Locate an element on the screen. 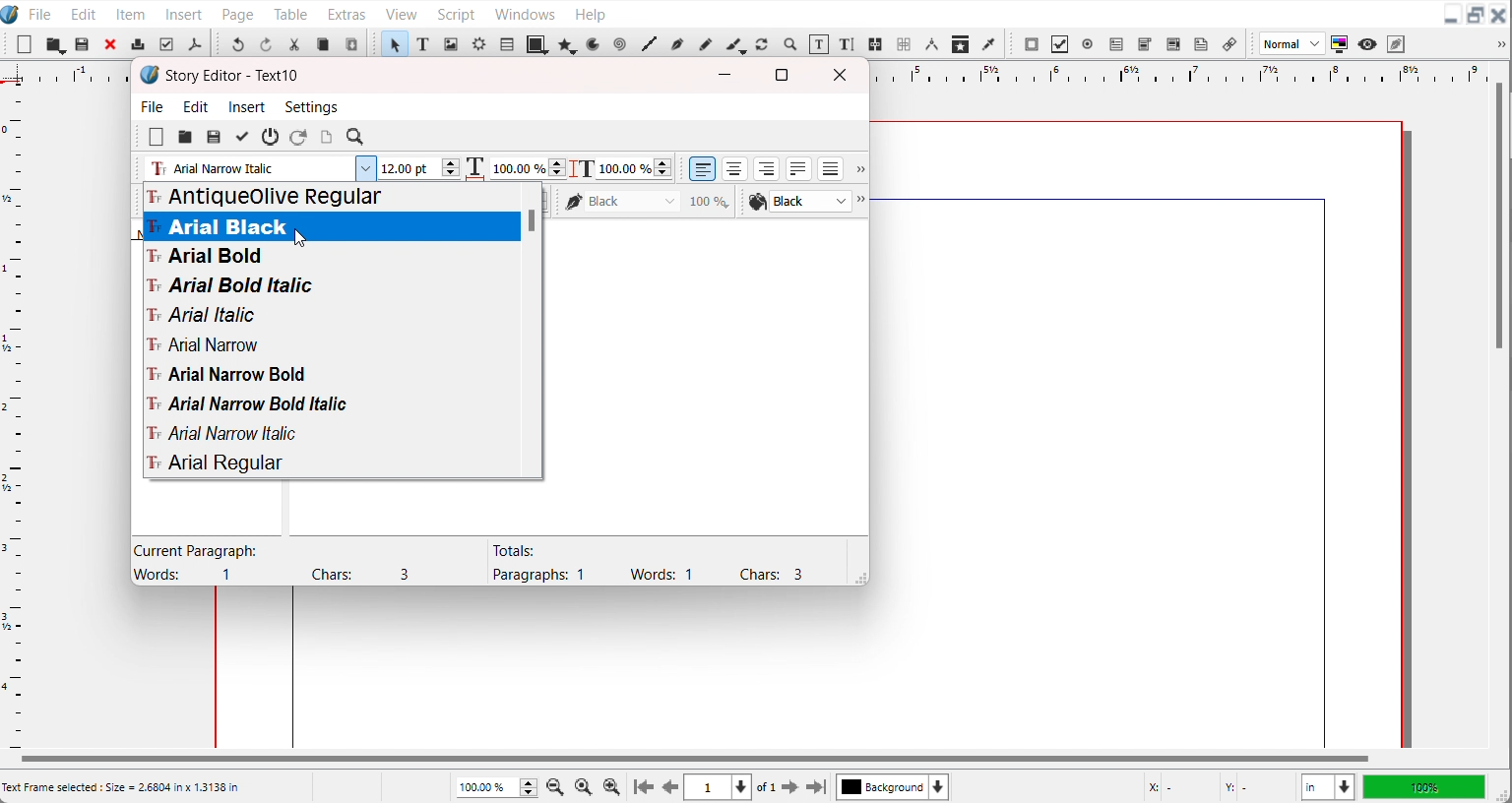  Insert is located at coordinates (248, 106).